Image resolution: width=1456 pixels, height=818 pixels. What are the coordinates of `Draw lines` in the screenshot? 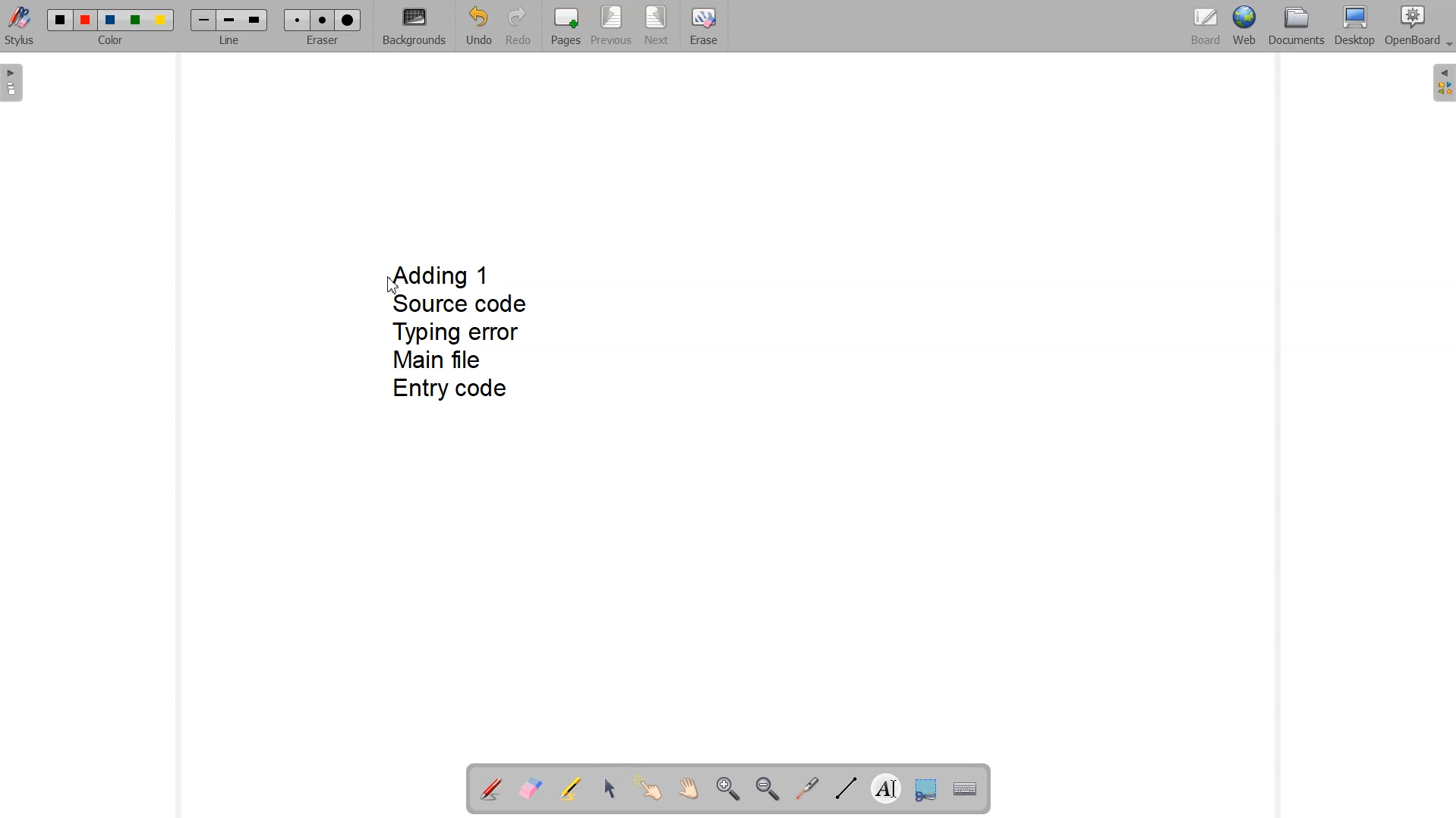 It's located at (844, 788).